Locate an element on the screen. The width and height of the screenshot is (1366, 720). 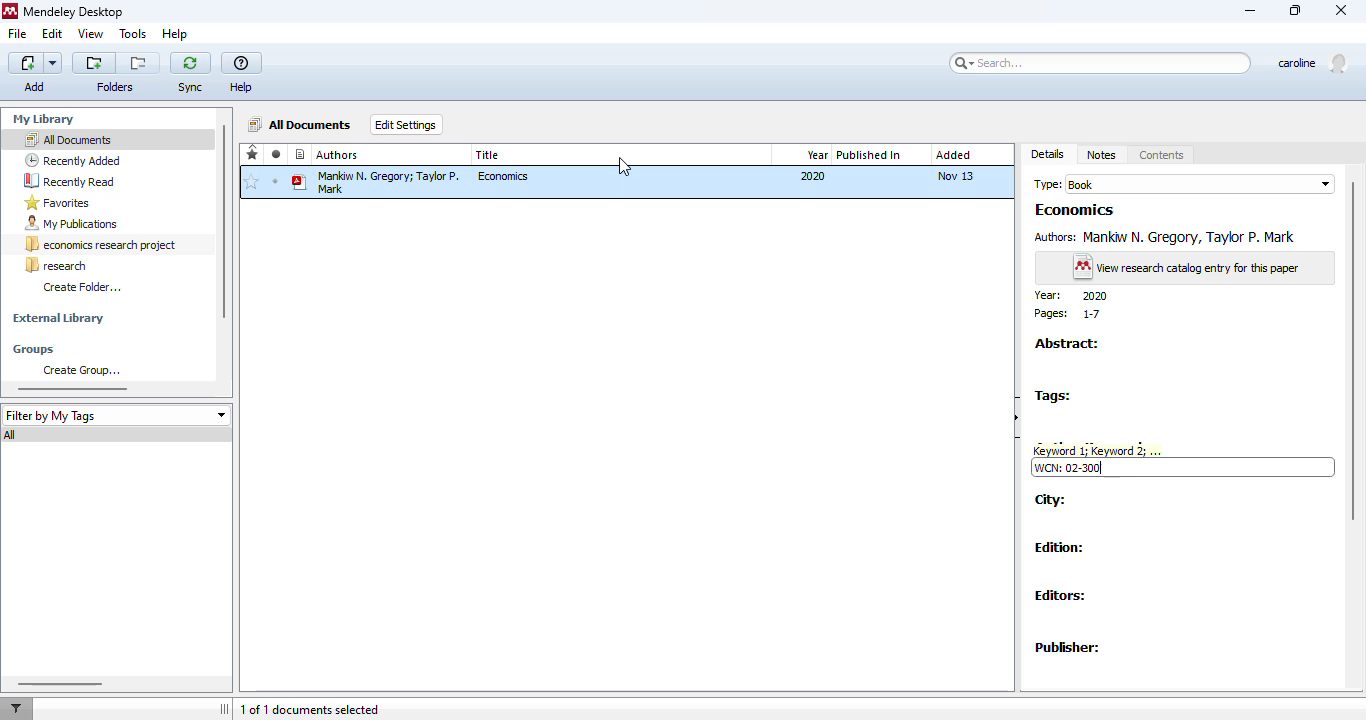
horizontal scroll bar is located at coordinates (74, 389).